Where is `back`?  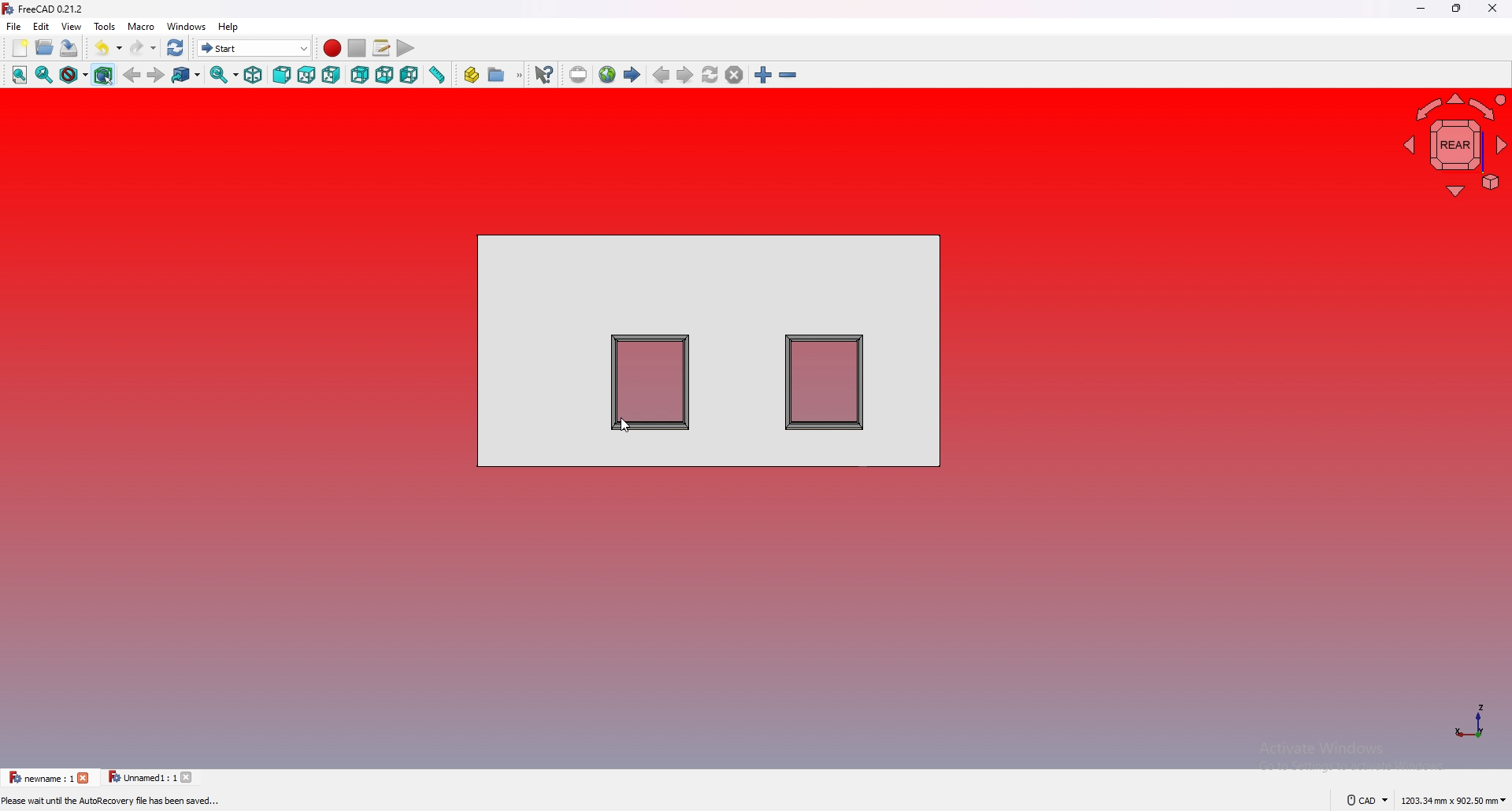
back is located at coordinates (360, 75).